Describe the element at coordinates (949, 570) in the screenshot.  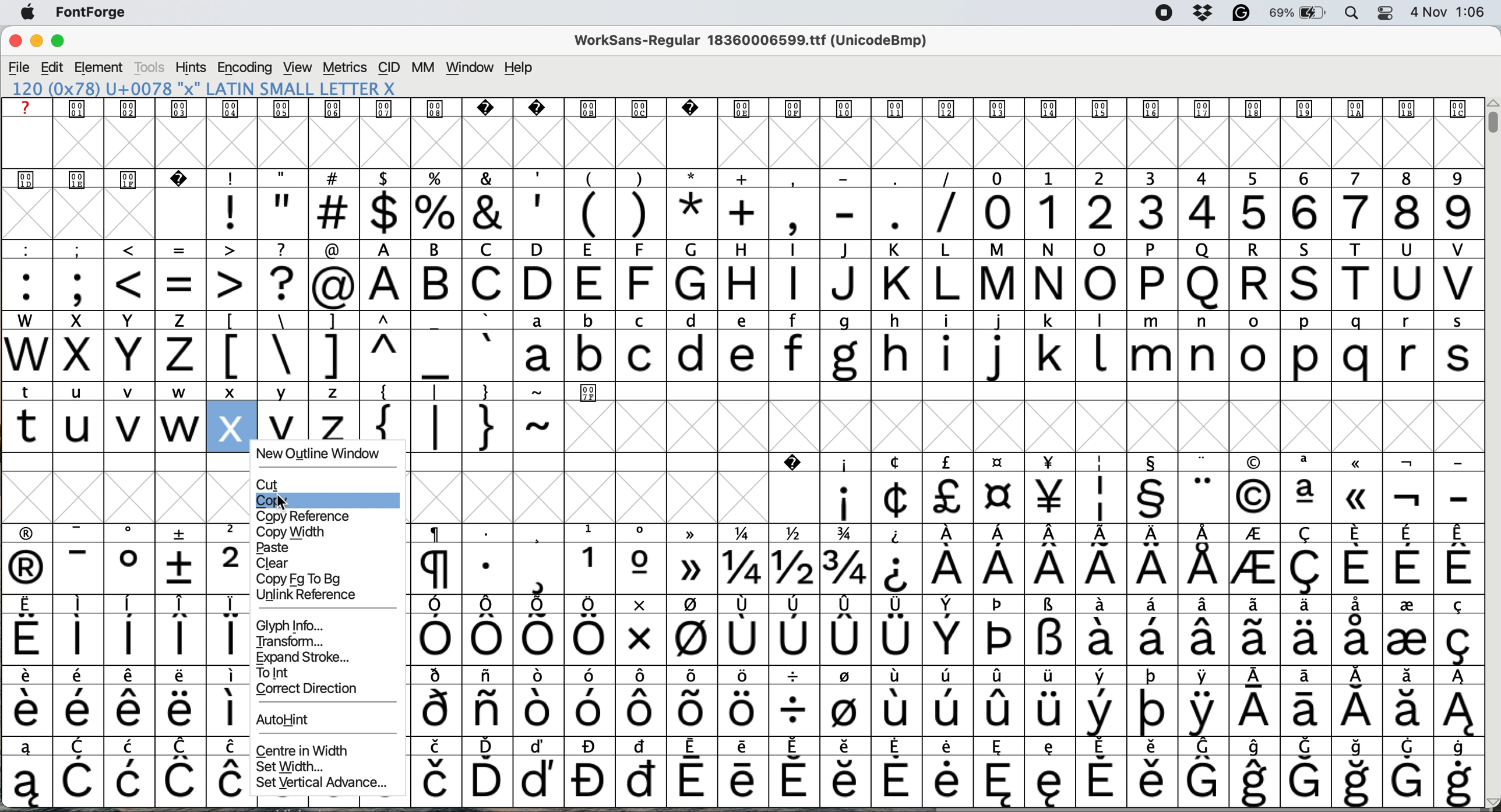
I see `special characters` at that location.